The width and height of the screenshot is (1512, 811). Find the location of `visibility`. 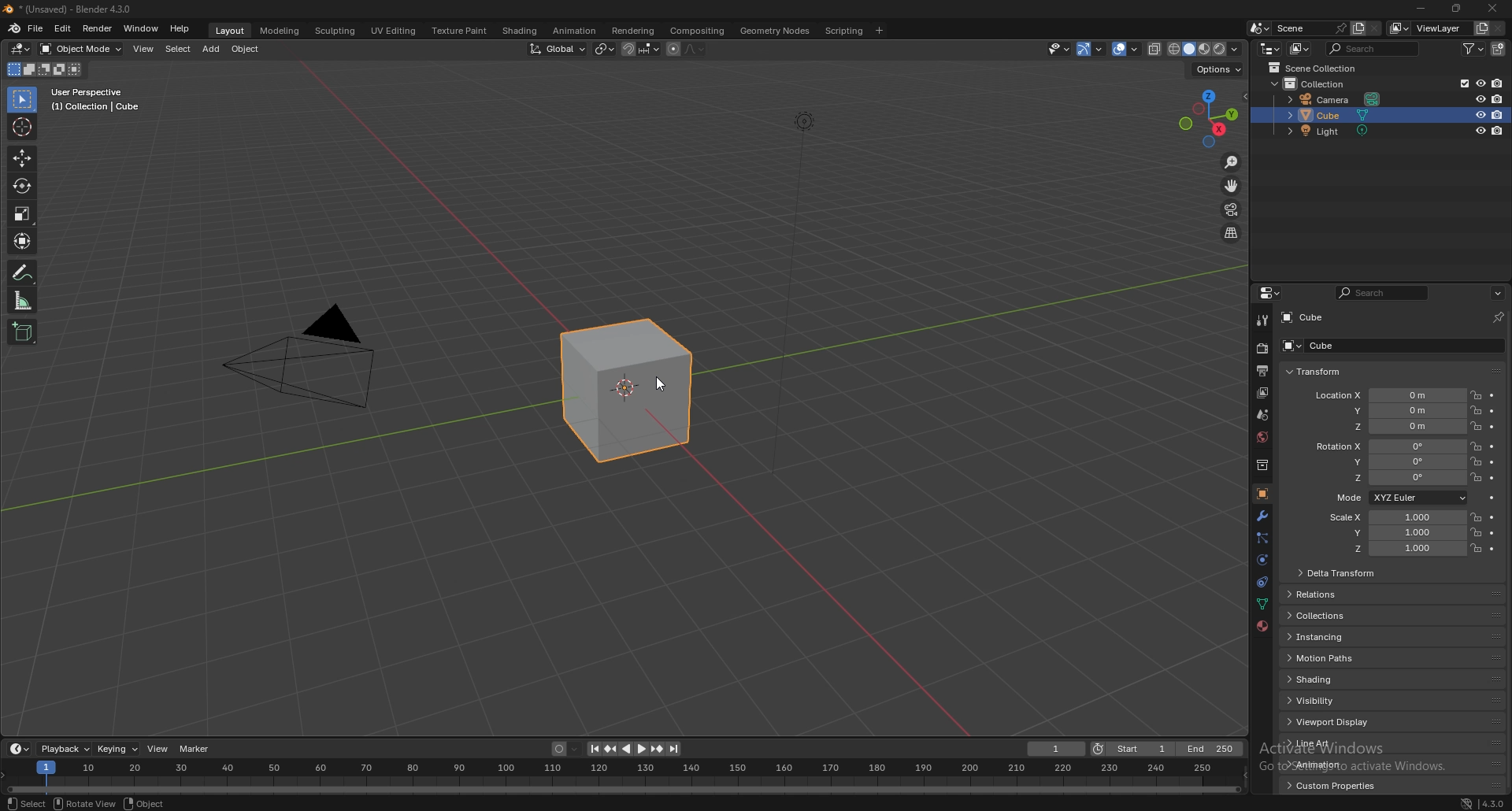

visibility is located at coordinates (1335, 701).